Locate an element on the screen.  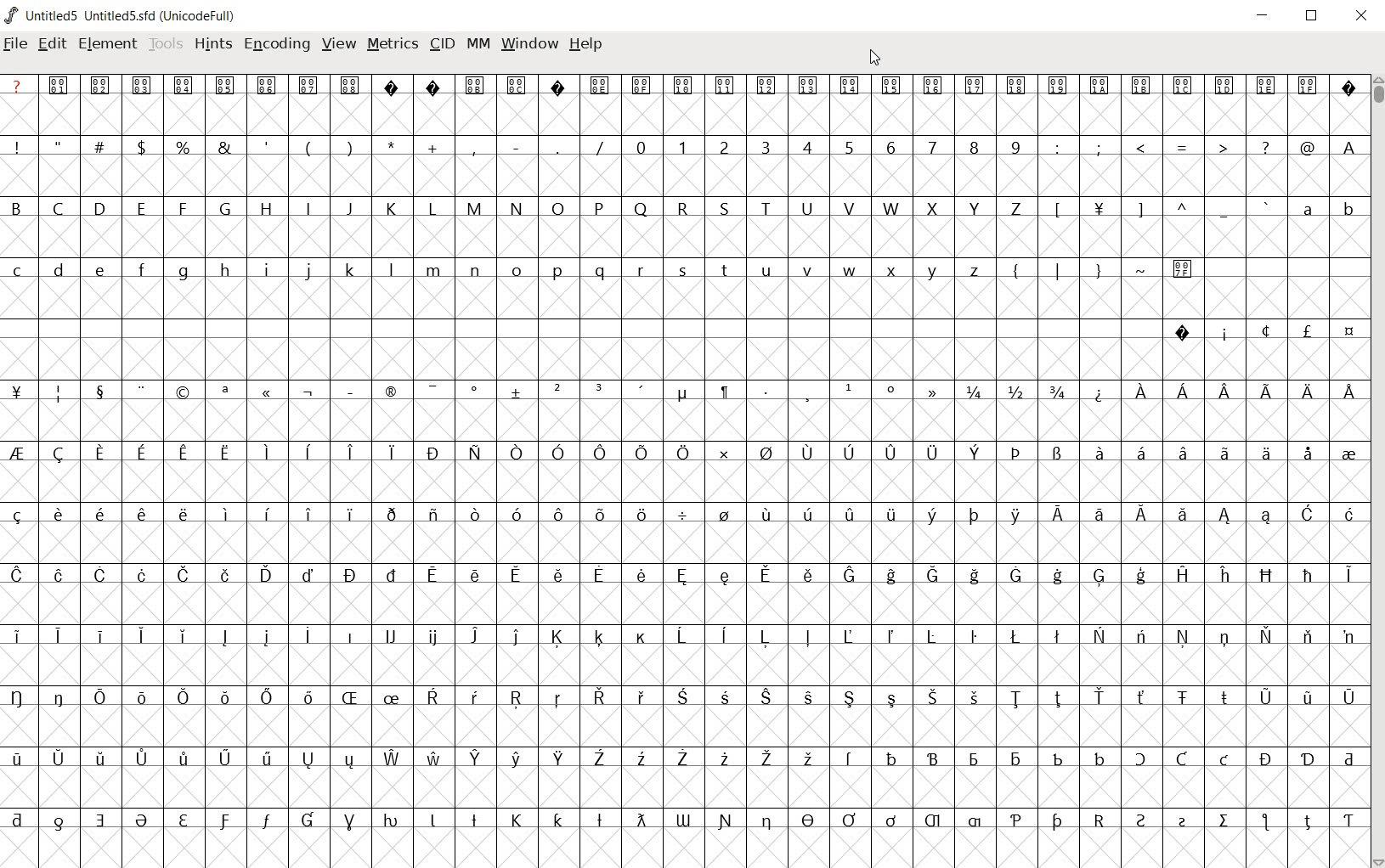
* is located at coordinates (393, 145).